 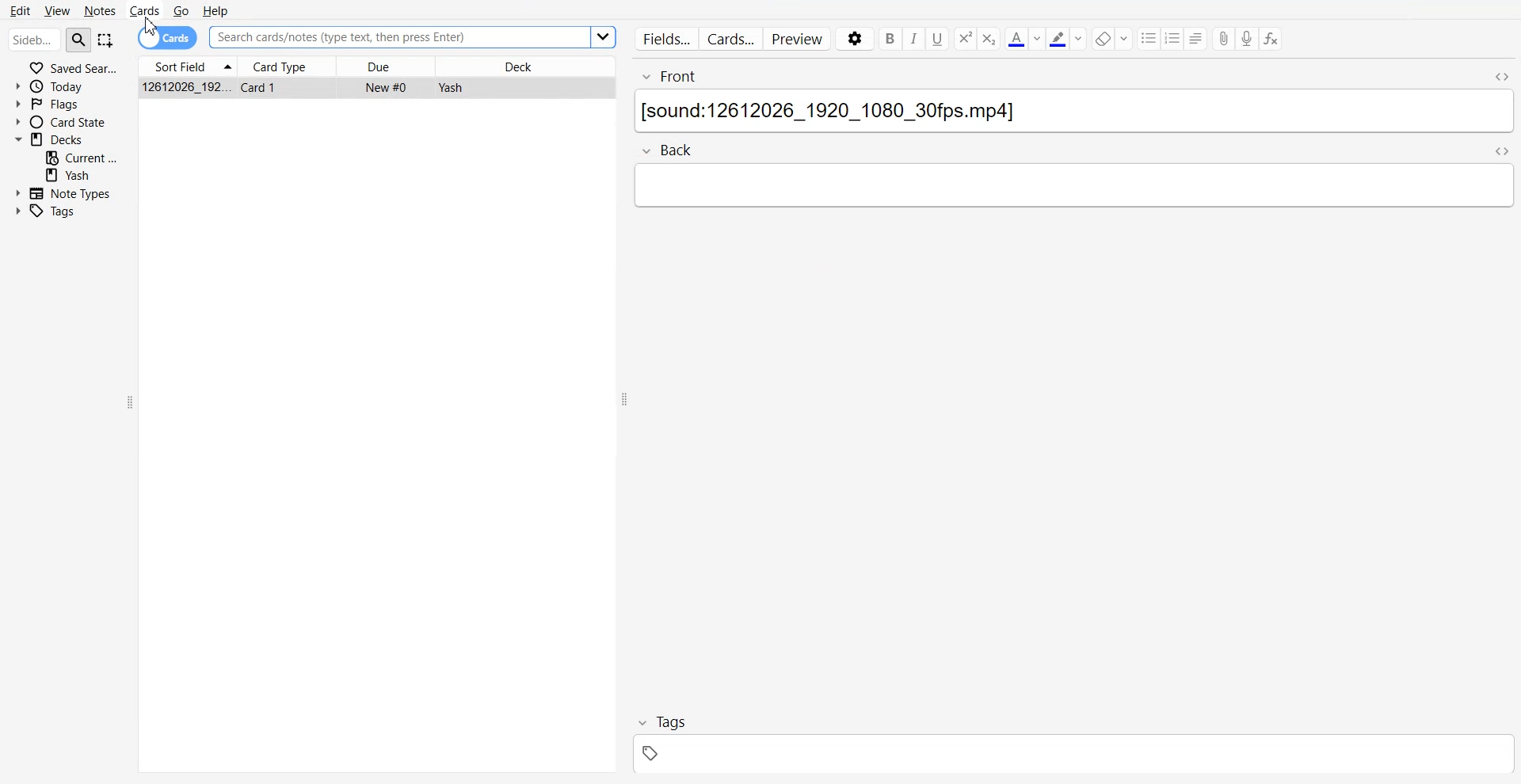 I want to click on Yash, so click(x=449, y=88).